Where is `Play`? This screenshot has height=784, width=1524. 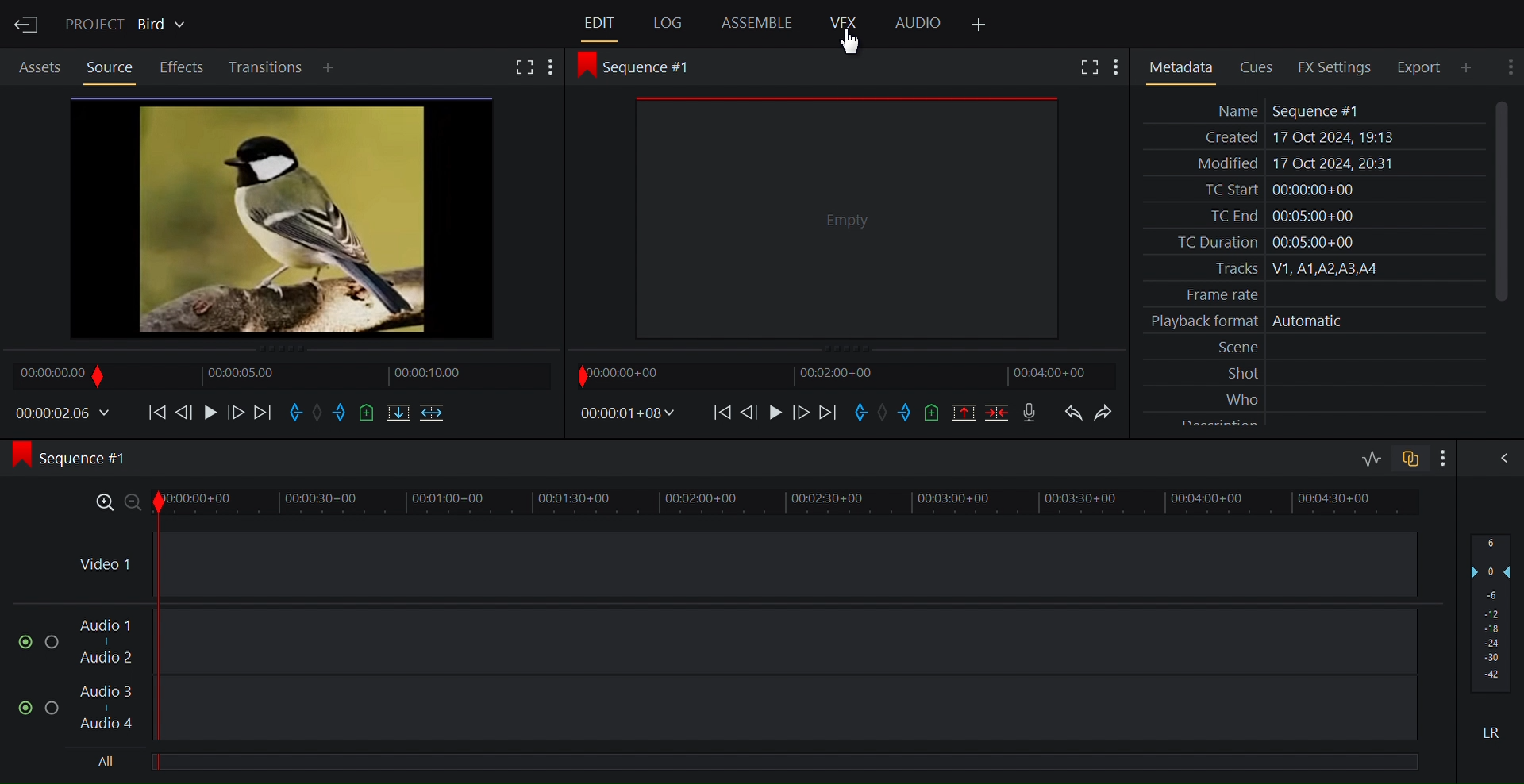
Play is located at coordinates (207, 411).